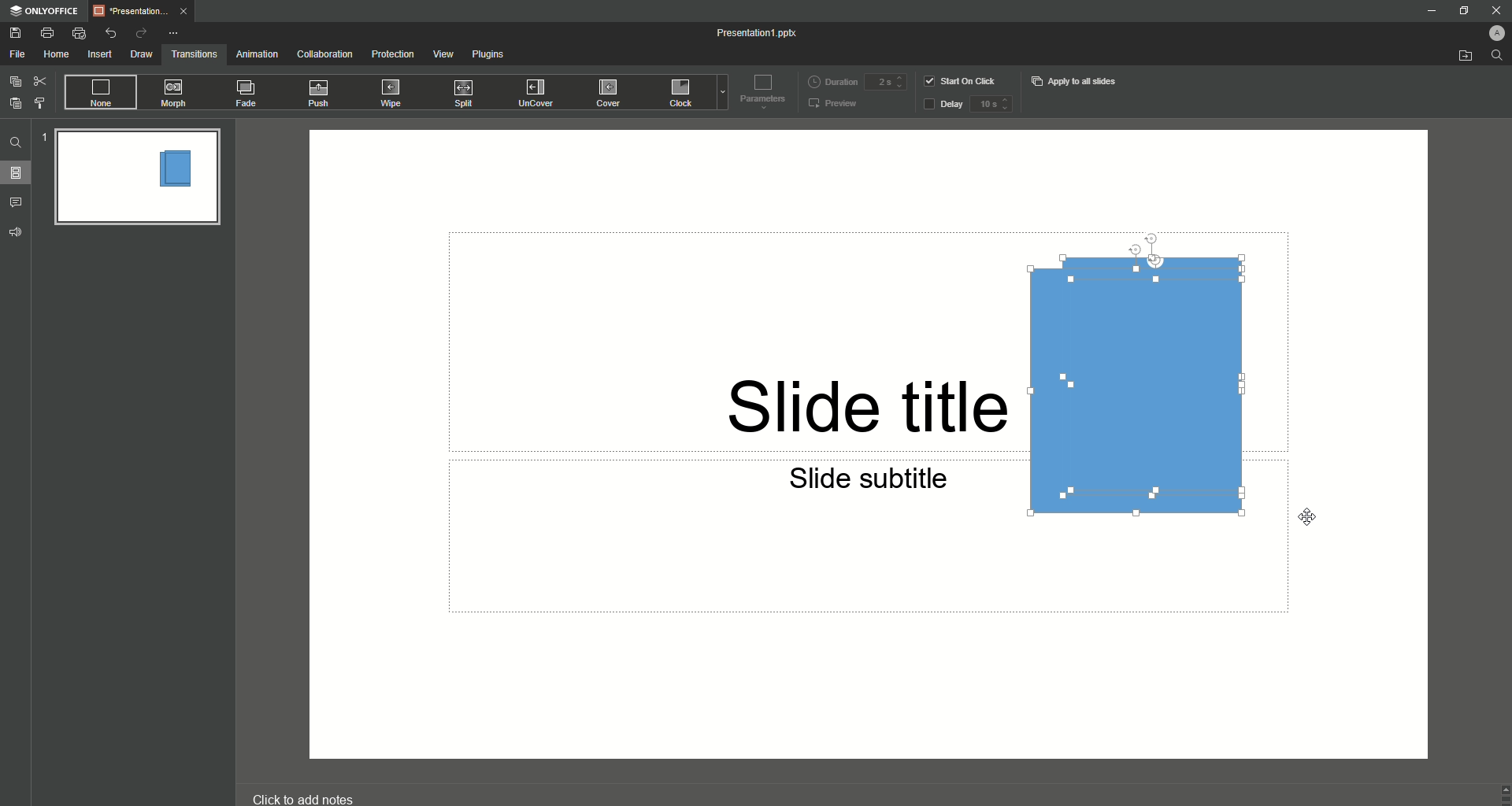 The width and height of the screenshot is (1512, 806). Describe the element at coordinates (391, 92) in the screenshot. I see `Wipe` at that location.